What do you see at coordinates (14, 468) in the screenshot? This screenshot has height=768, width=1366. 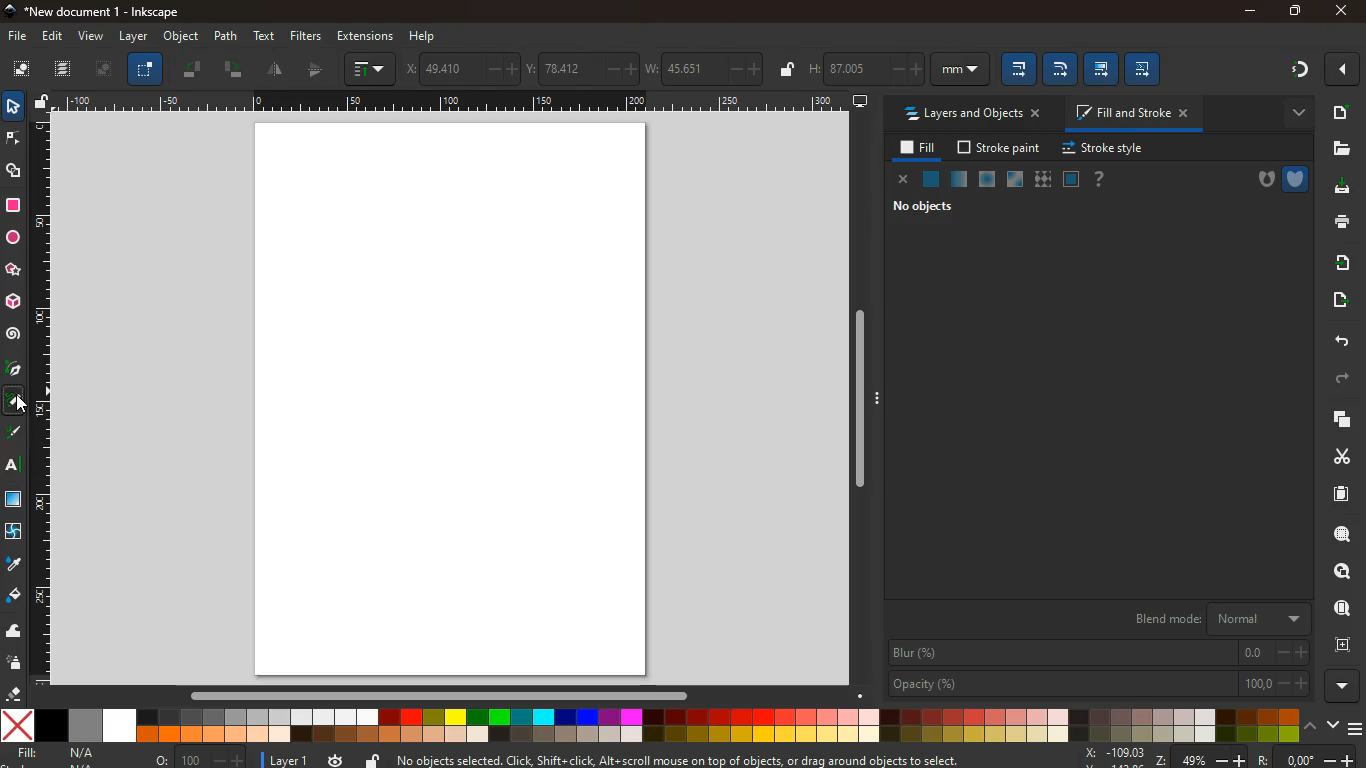 I see `text` at bounding box center [14, 468].